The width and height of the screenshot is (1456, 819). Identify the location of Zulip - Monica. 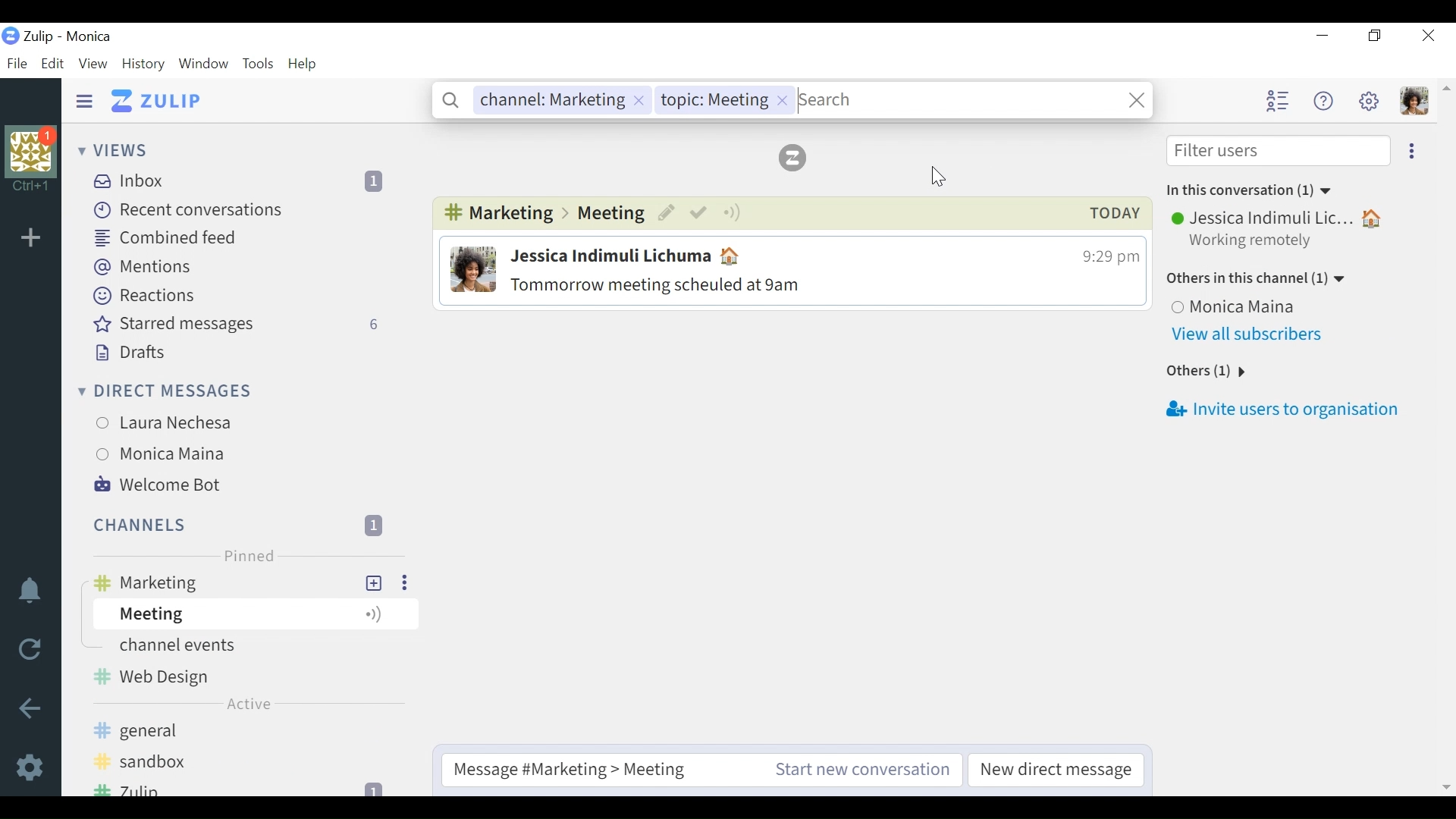
(69, 37).